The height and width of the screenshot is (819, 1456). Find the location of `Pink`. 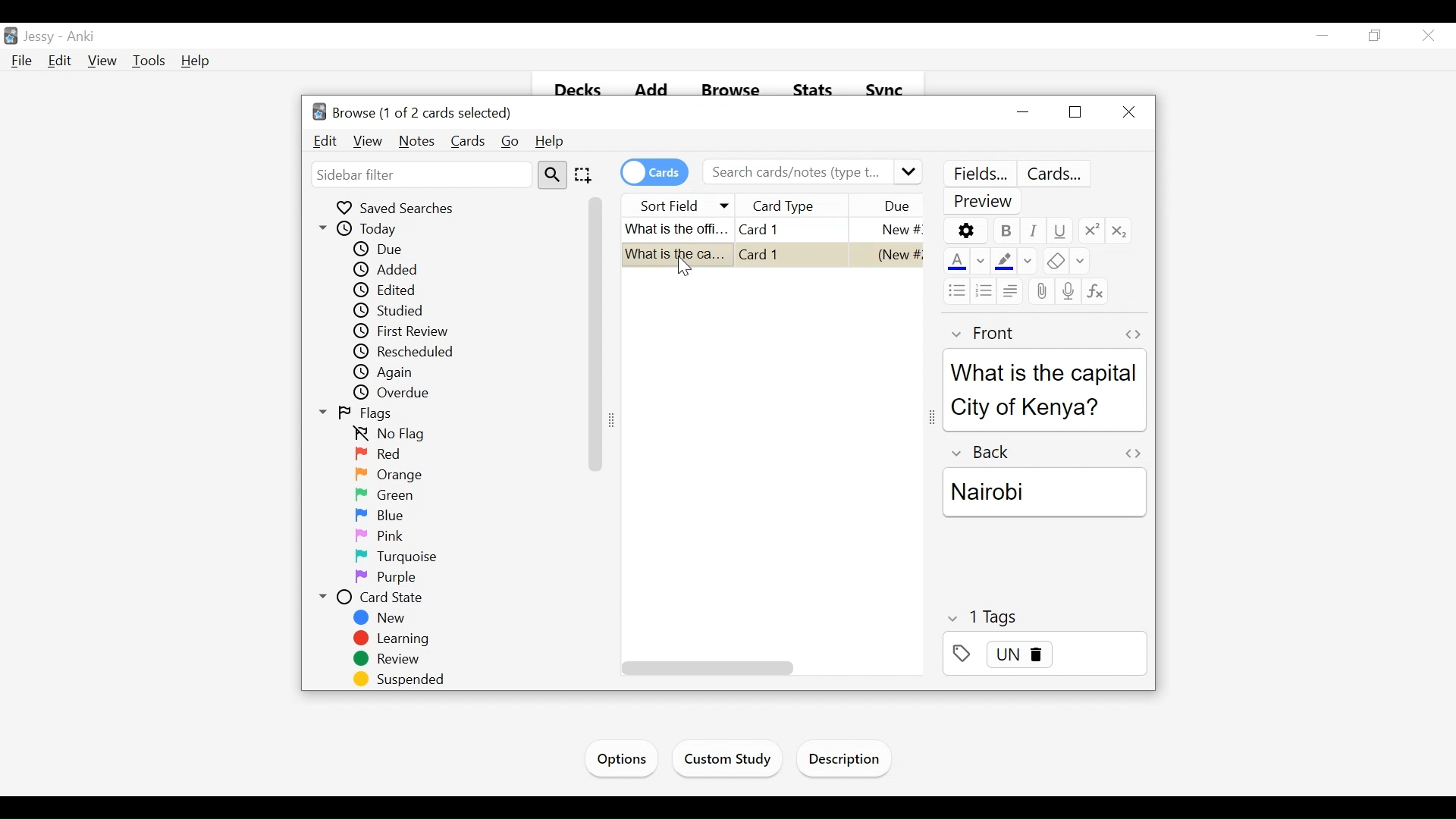

Pink is located at coordinates (377, 536).